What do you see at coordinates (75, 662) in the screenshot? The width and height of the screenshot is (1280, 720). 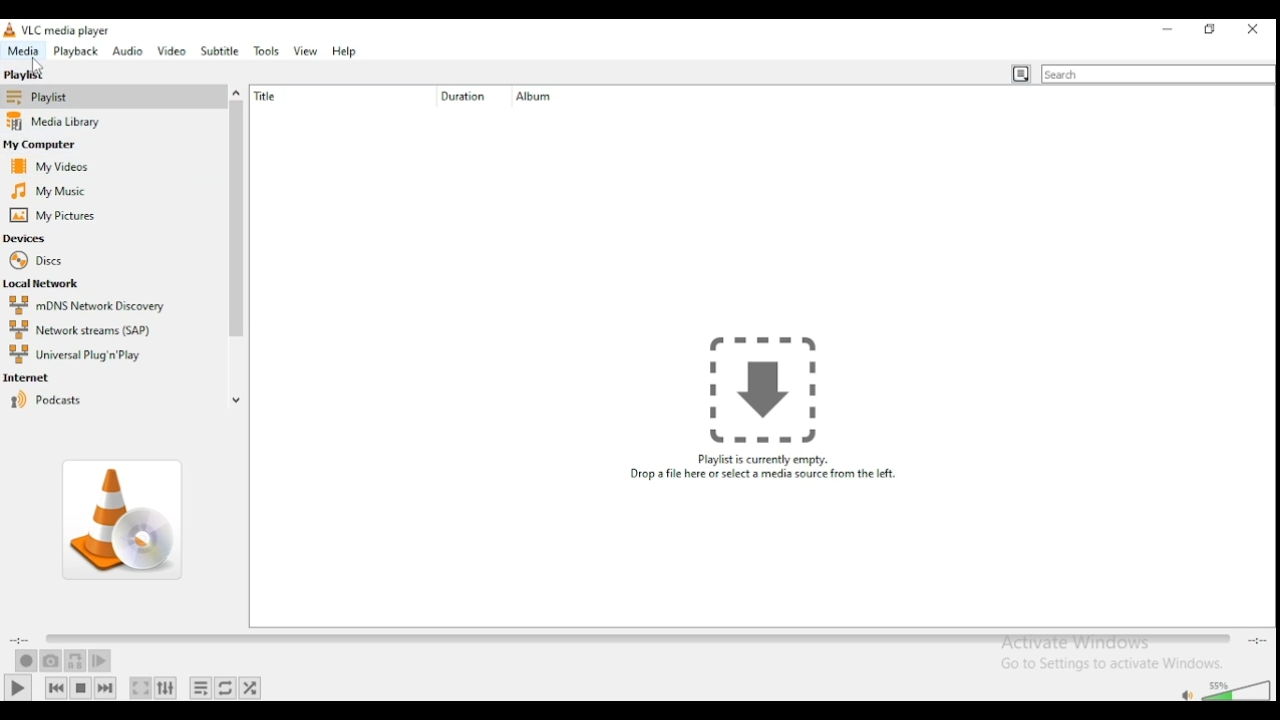 I see `loop between point A and point B continuously. Click to add point A` at bounding box center [75, 662].